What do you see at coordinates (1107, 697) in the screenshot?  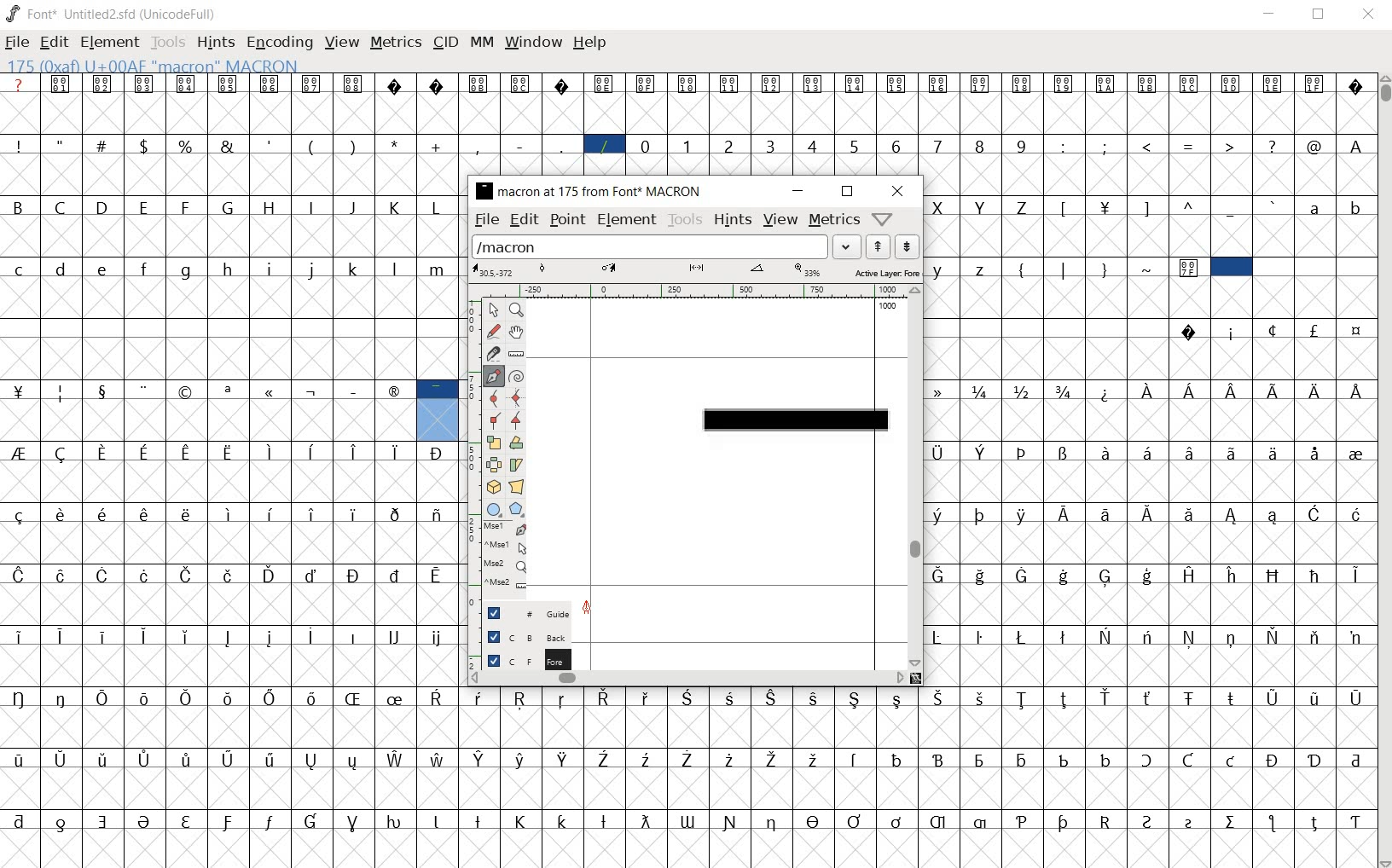 I see `Symbol` at bounding box center [1107, 697].